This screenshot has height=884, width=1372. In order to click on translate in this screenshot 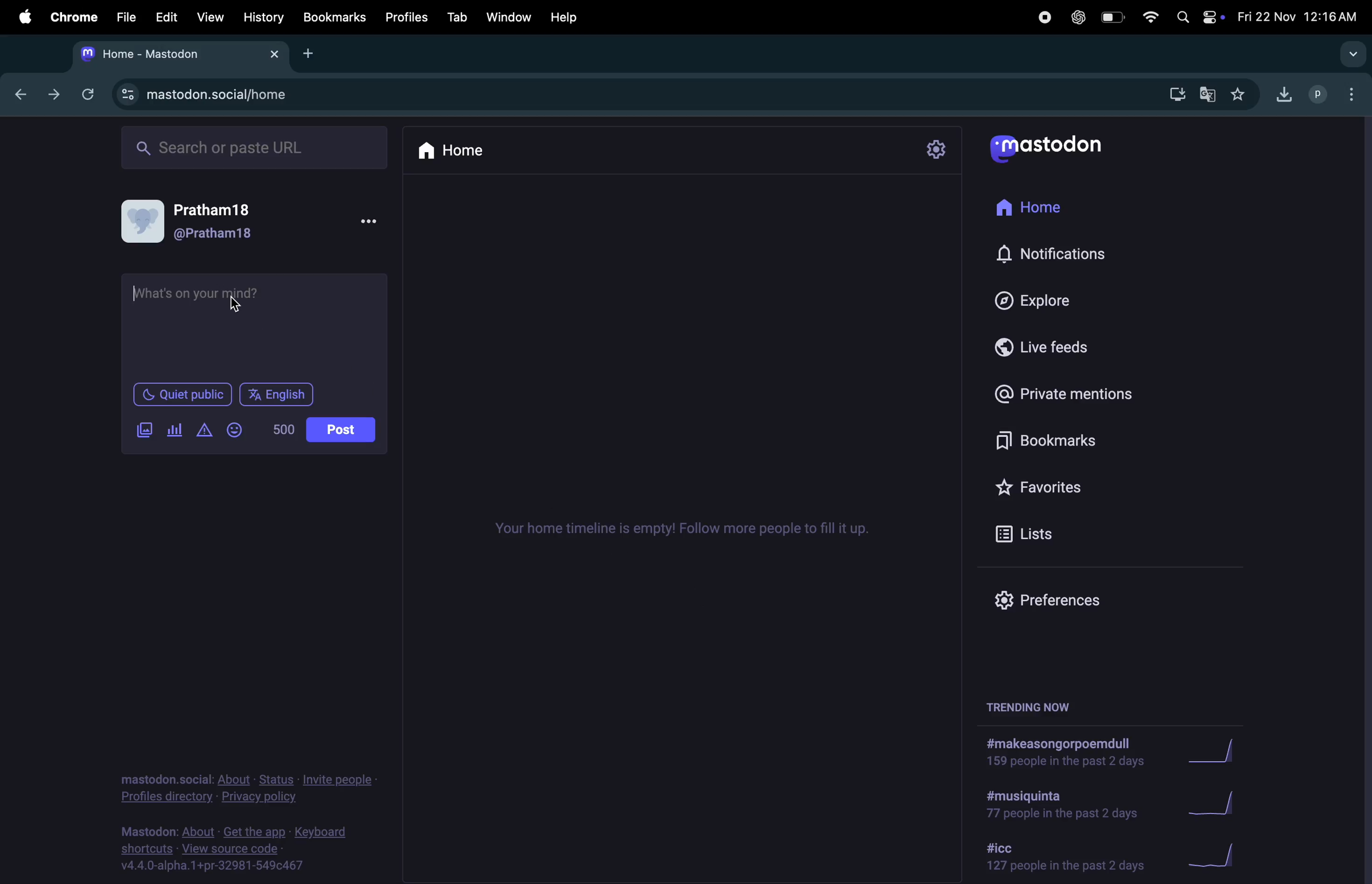, I will do `click(1207, 95)`.